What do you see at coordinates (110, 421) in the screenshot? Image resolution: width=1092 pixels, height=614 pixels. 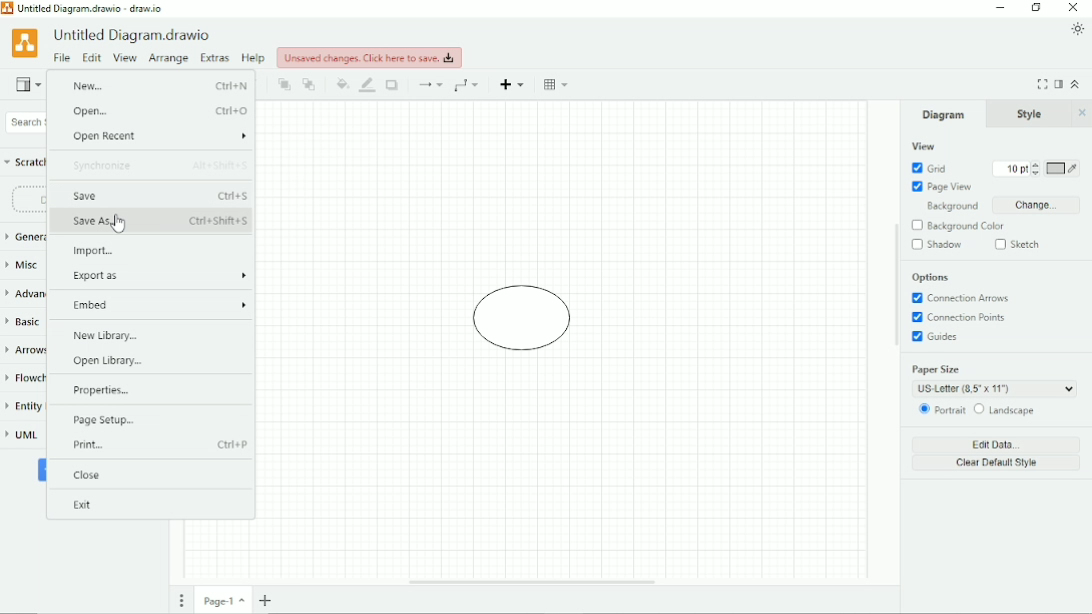 I see `Page Setup` at bounding box center [110, 421].